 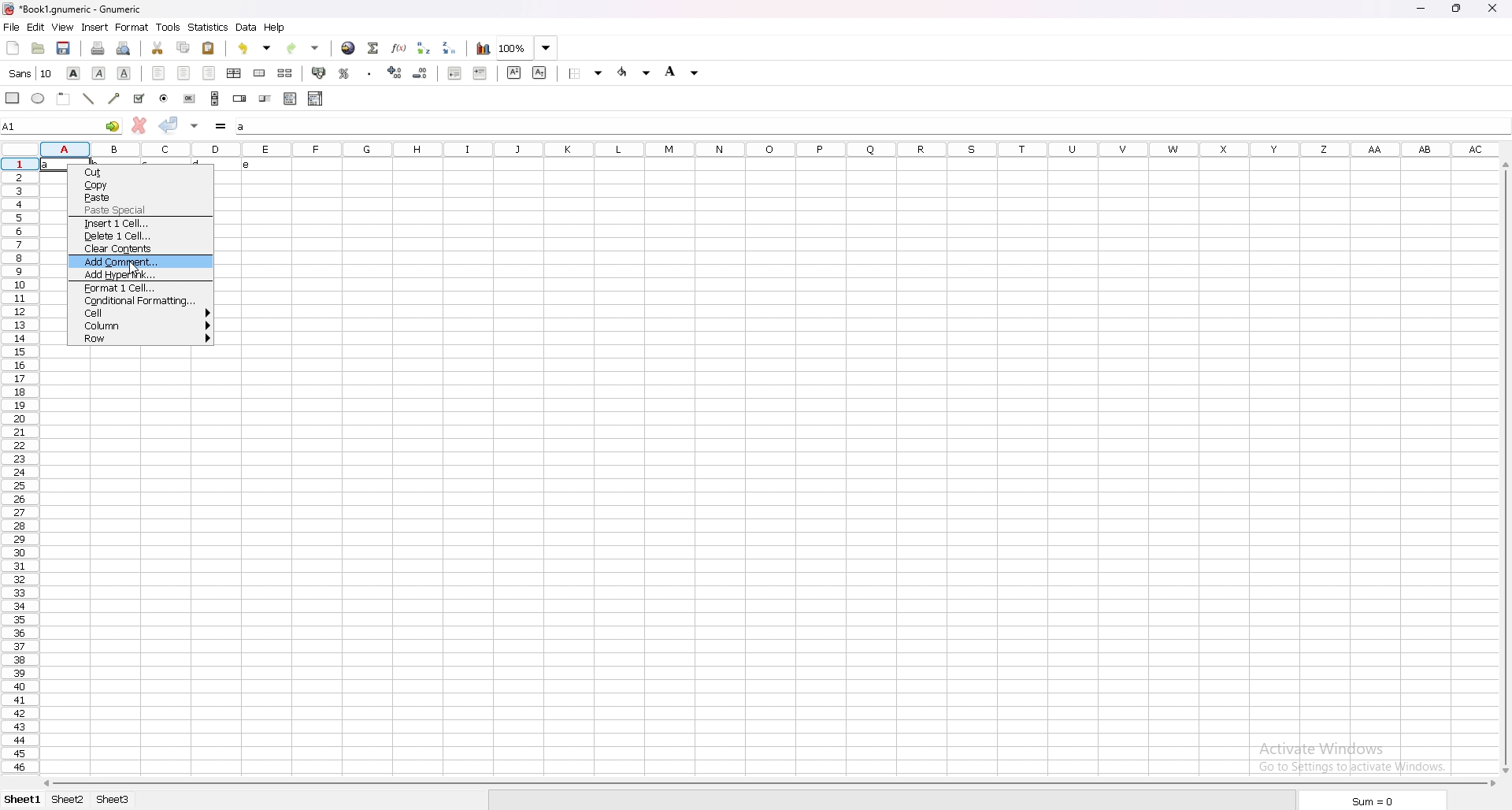 What do you see at coordinates (169, 124) in the screenshot?
I see `accept change` at bounding box center [169, 124].